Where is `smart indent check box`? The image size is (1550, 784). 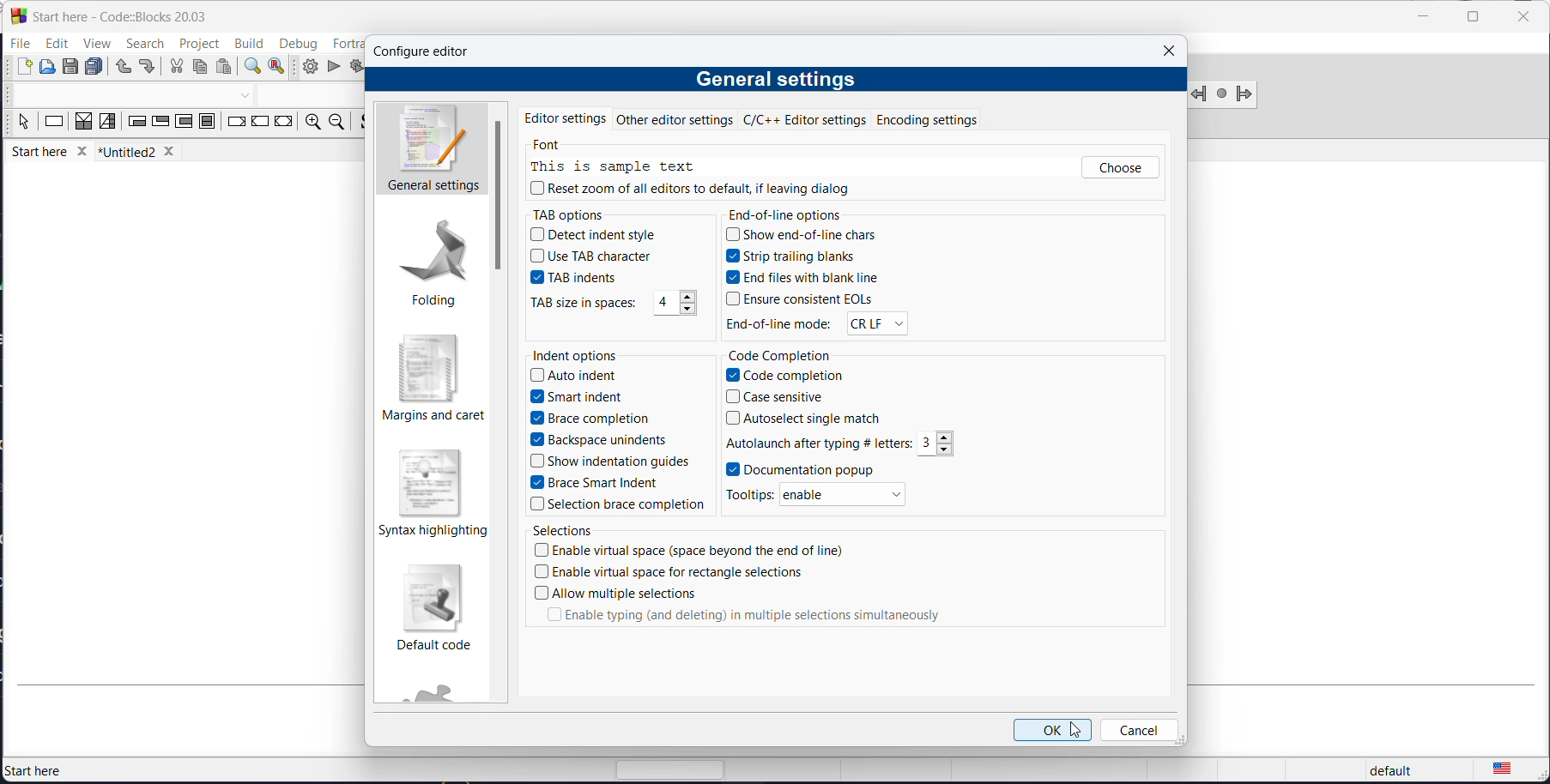 smart indent check box is located at coordinates (581, 398).